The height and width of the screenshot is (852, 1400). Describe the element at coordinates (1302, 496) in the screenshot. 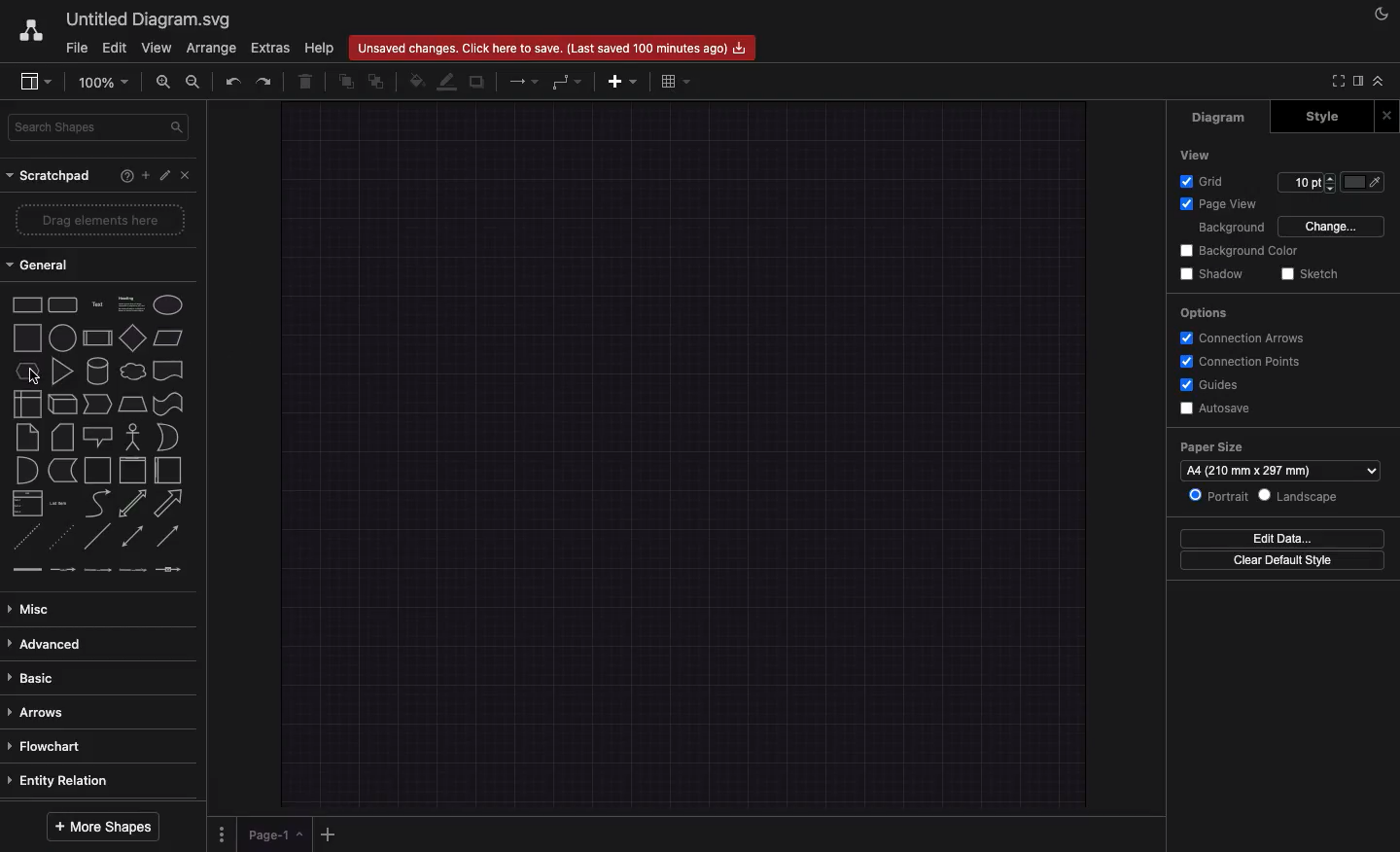

I see `Landscape` at that location.